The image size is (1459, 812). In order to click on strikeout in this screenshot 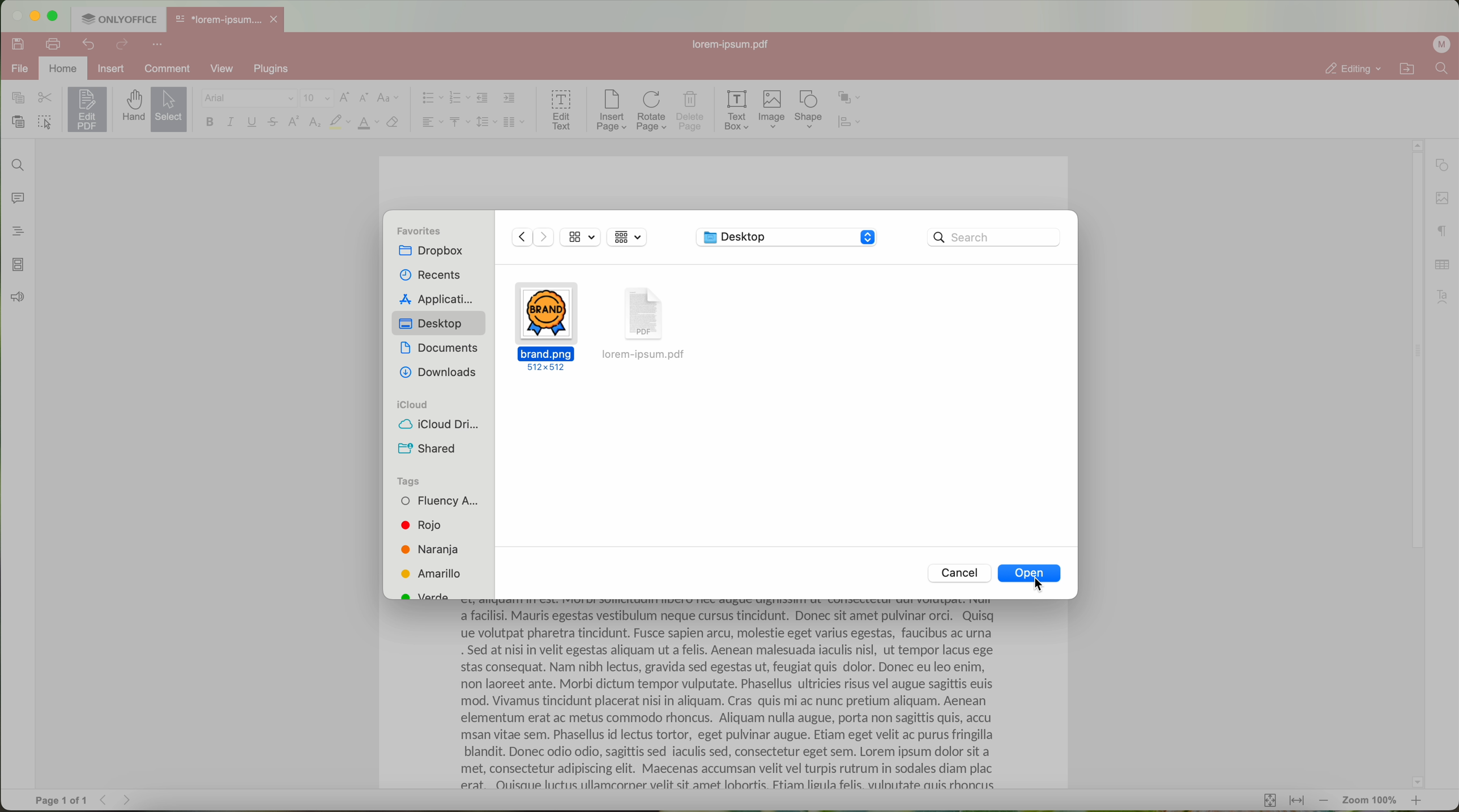, I will do `click(274, 123)`.